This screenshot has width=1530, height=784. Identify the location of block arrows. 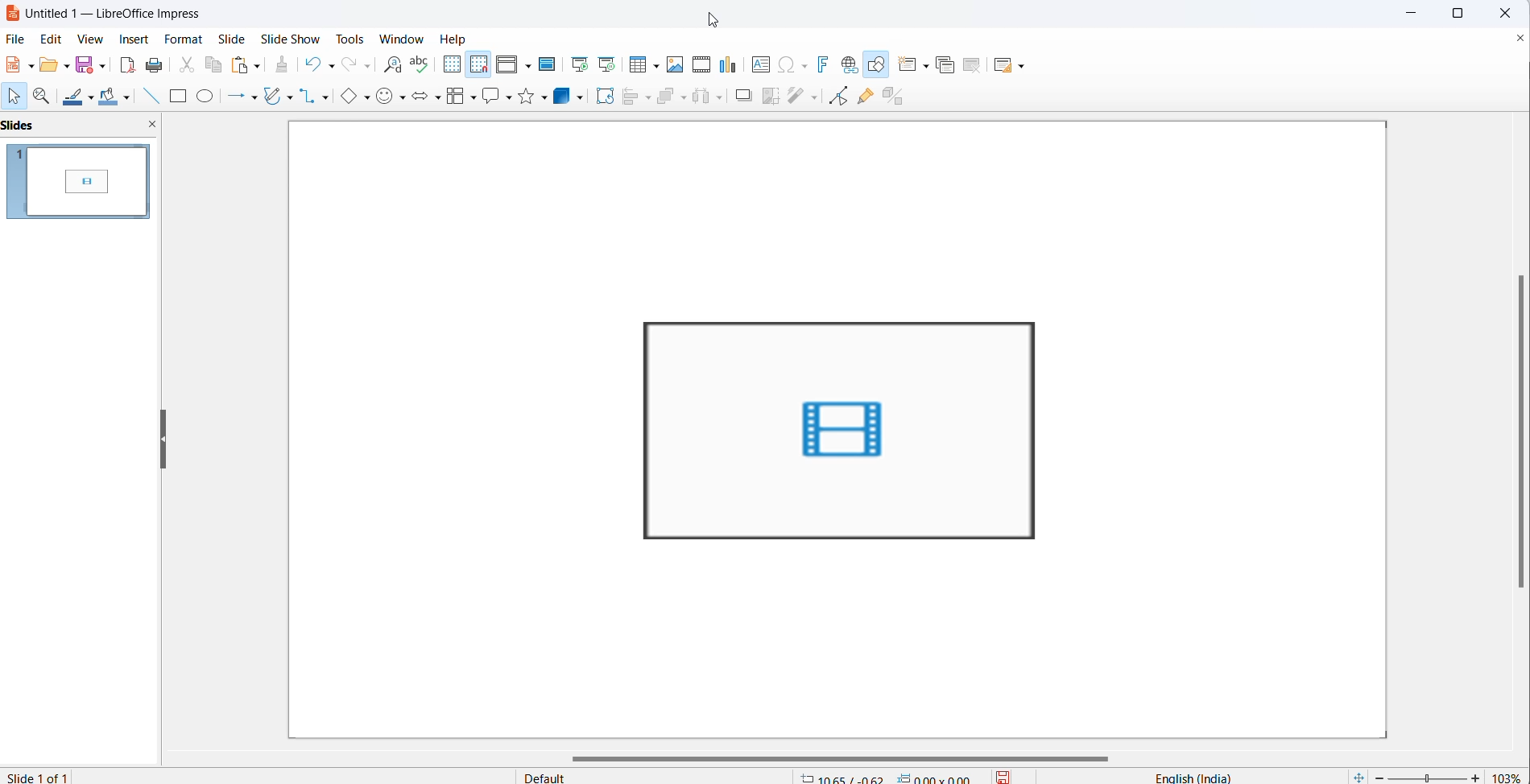
(420, 98).